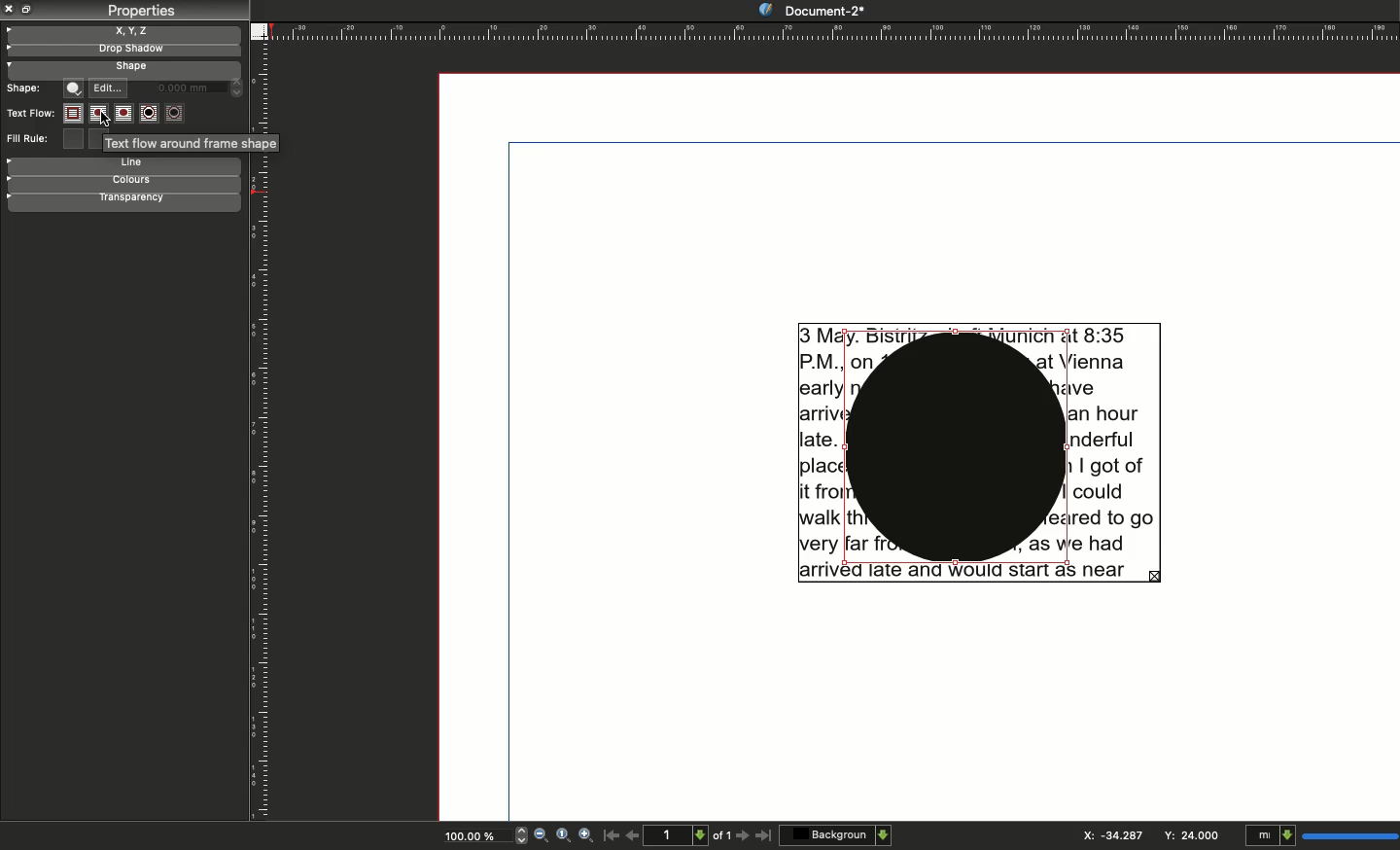 This screenshot has width=1400, height=850. I want to click on Zoom, so click(563, 837).